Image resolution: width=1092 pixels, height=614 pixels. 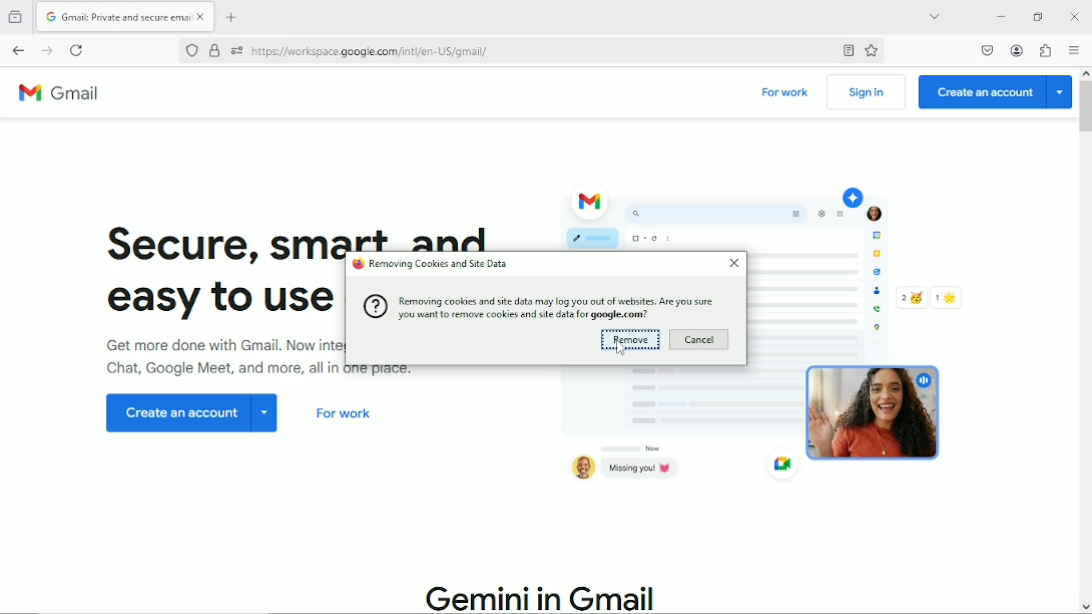 What do you see at coordinates (733, 264) in the screenshot?
I see `Close` at bounding box center [733, 264].